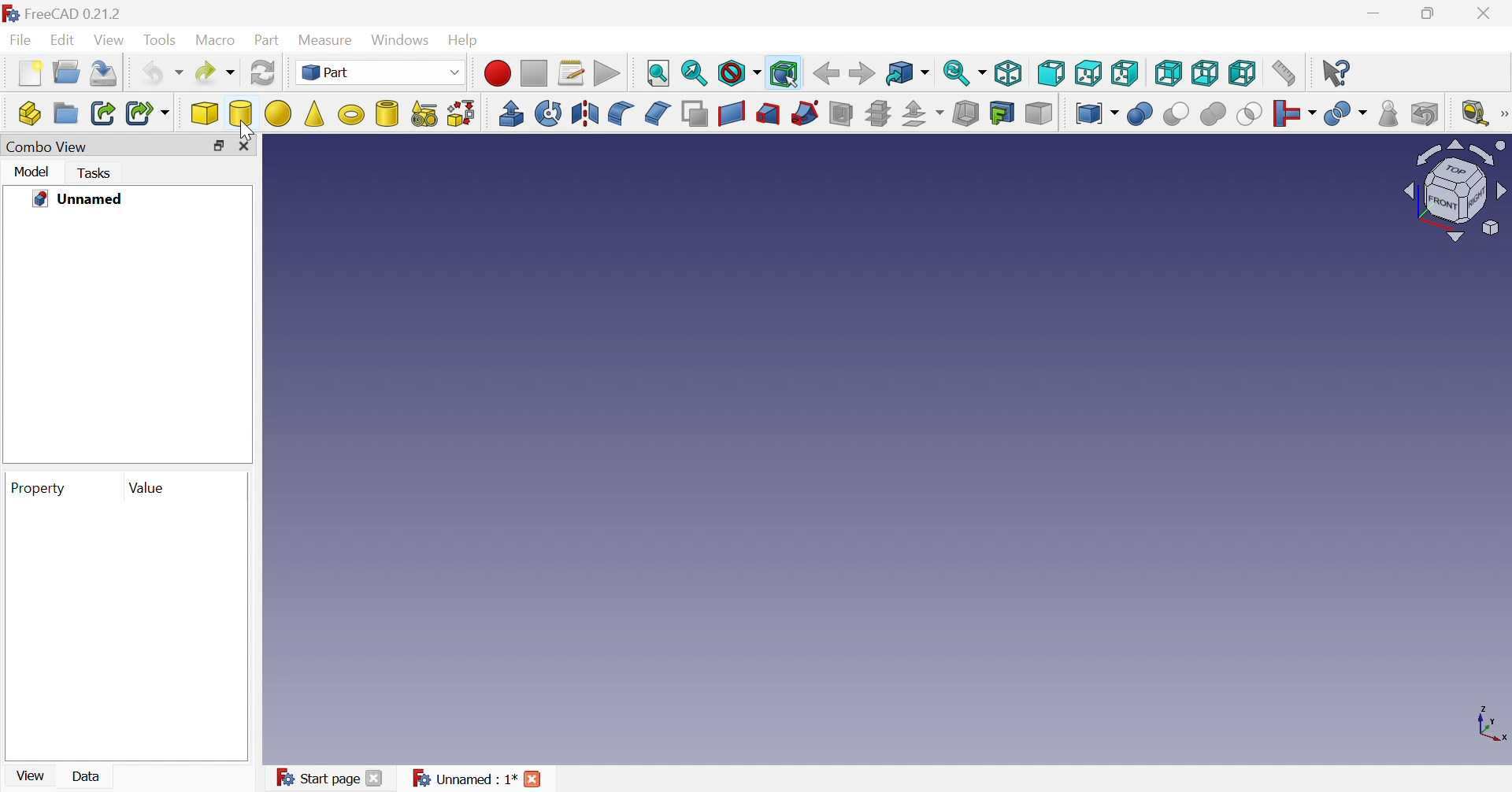 The image size is (1512, 792). I want to click on File, so click(21, 41).